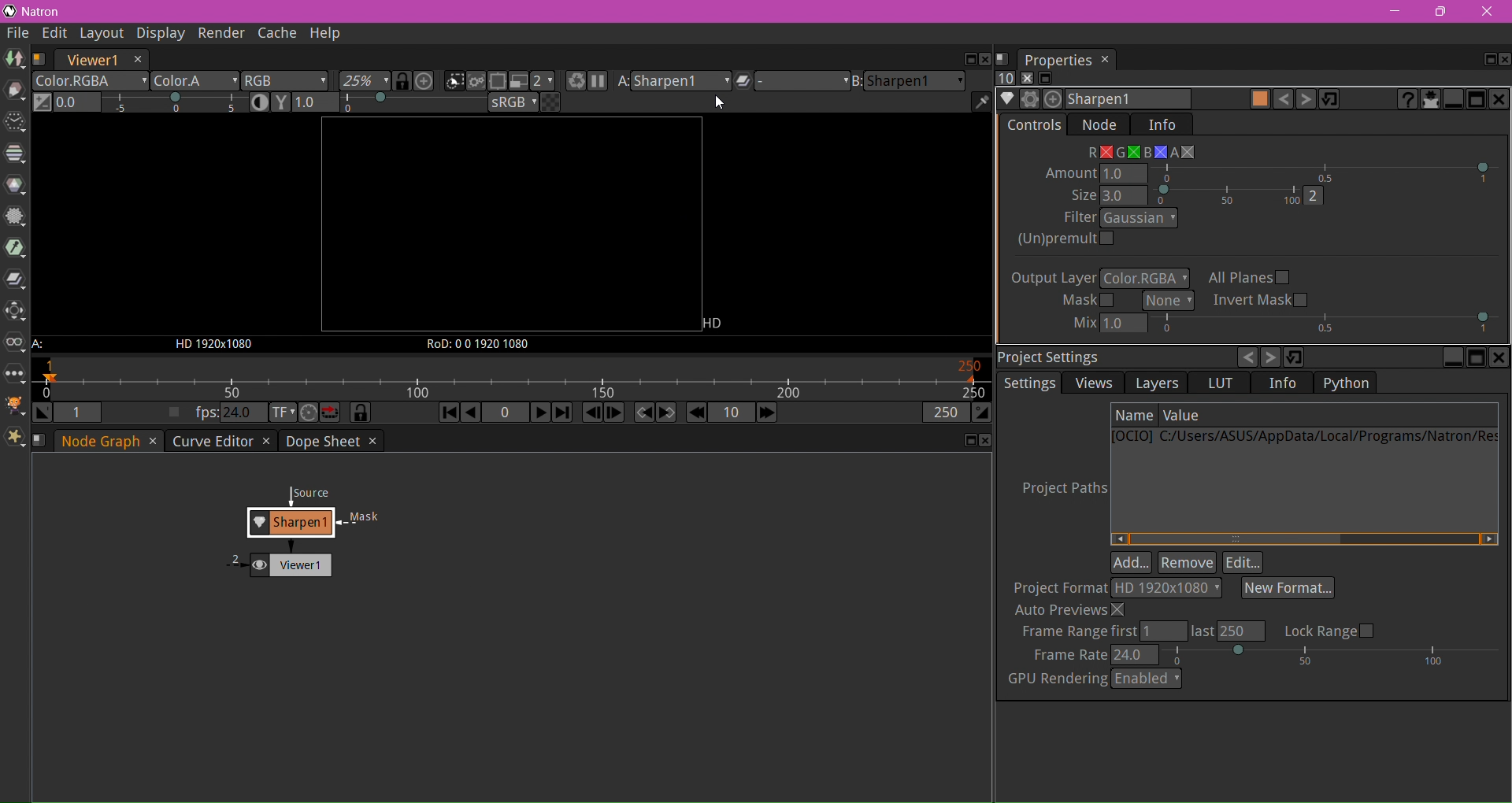 The image size is (1512, 803). I want to click on When unchecked, the playback frame rte is automaticaly set from the Viewer A input, so click(174, 413).